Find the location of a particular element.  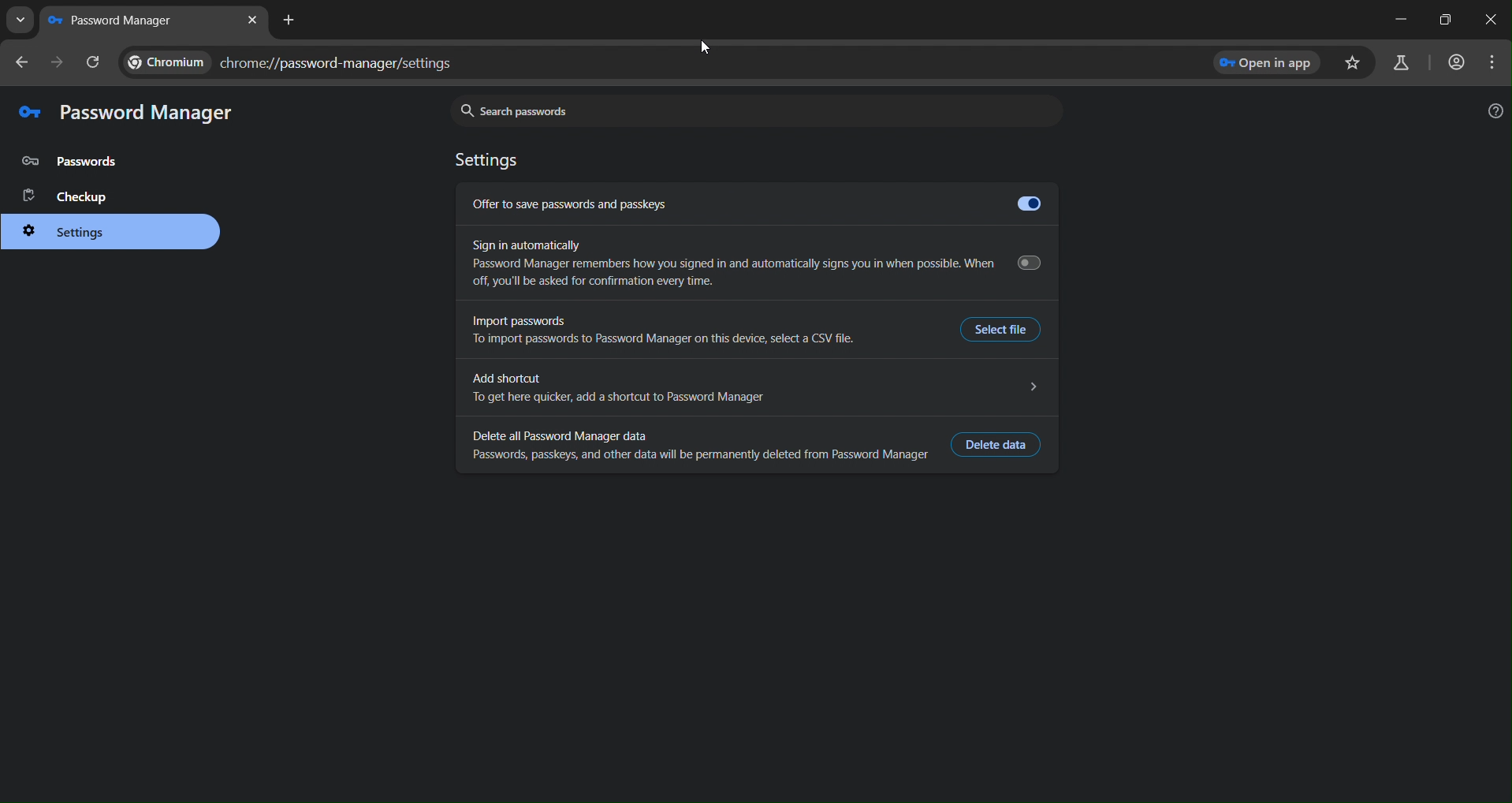

go forward one page is located at coordinates (58, 65).